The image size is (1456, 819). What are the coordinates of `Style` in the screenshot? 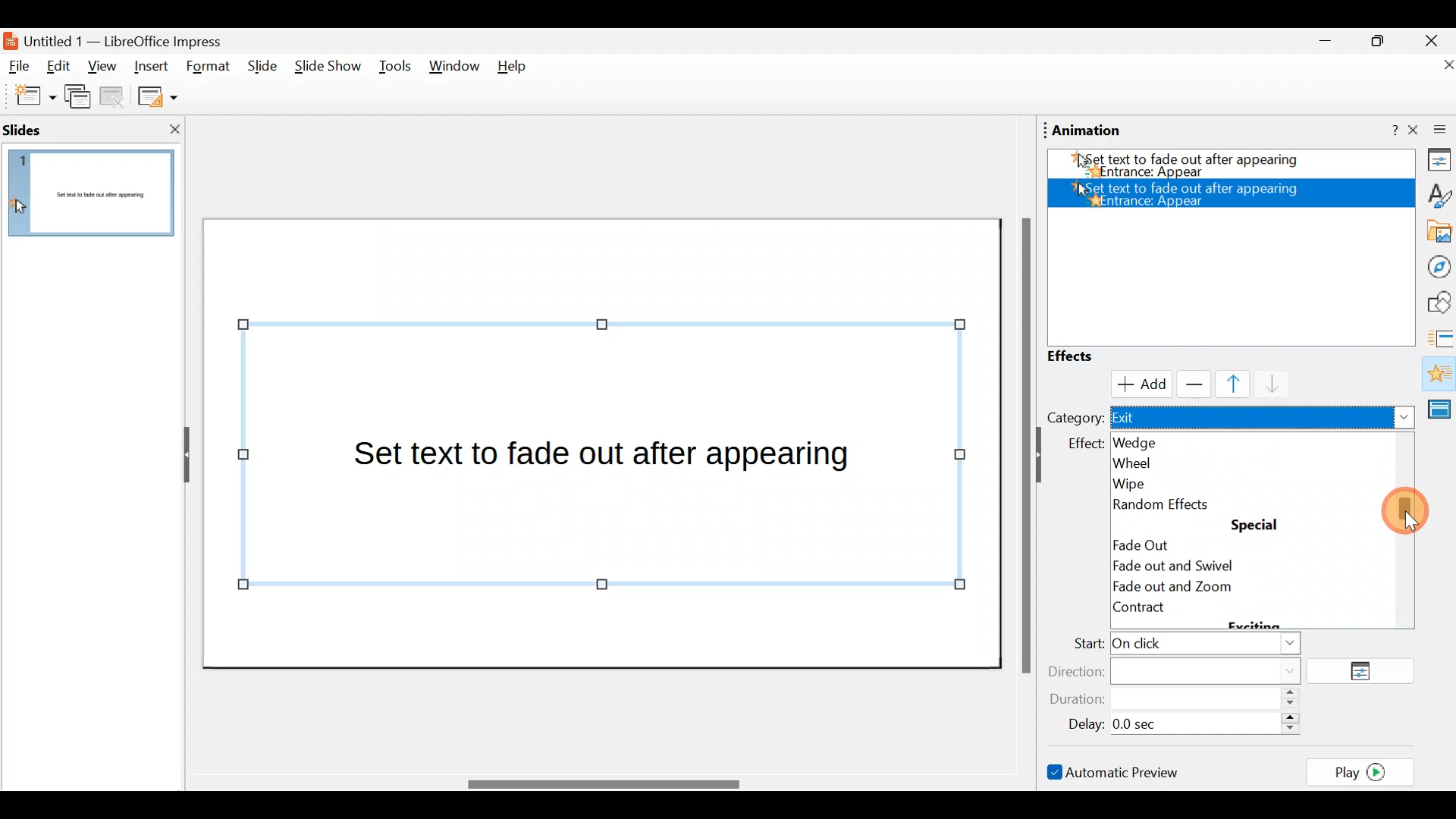 It's located at (1434, 194).